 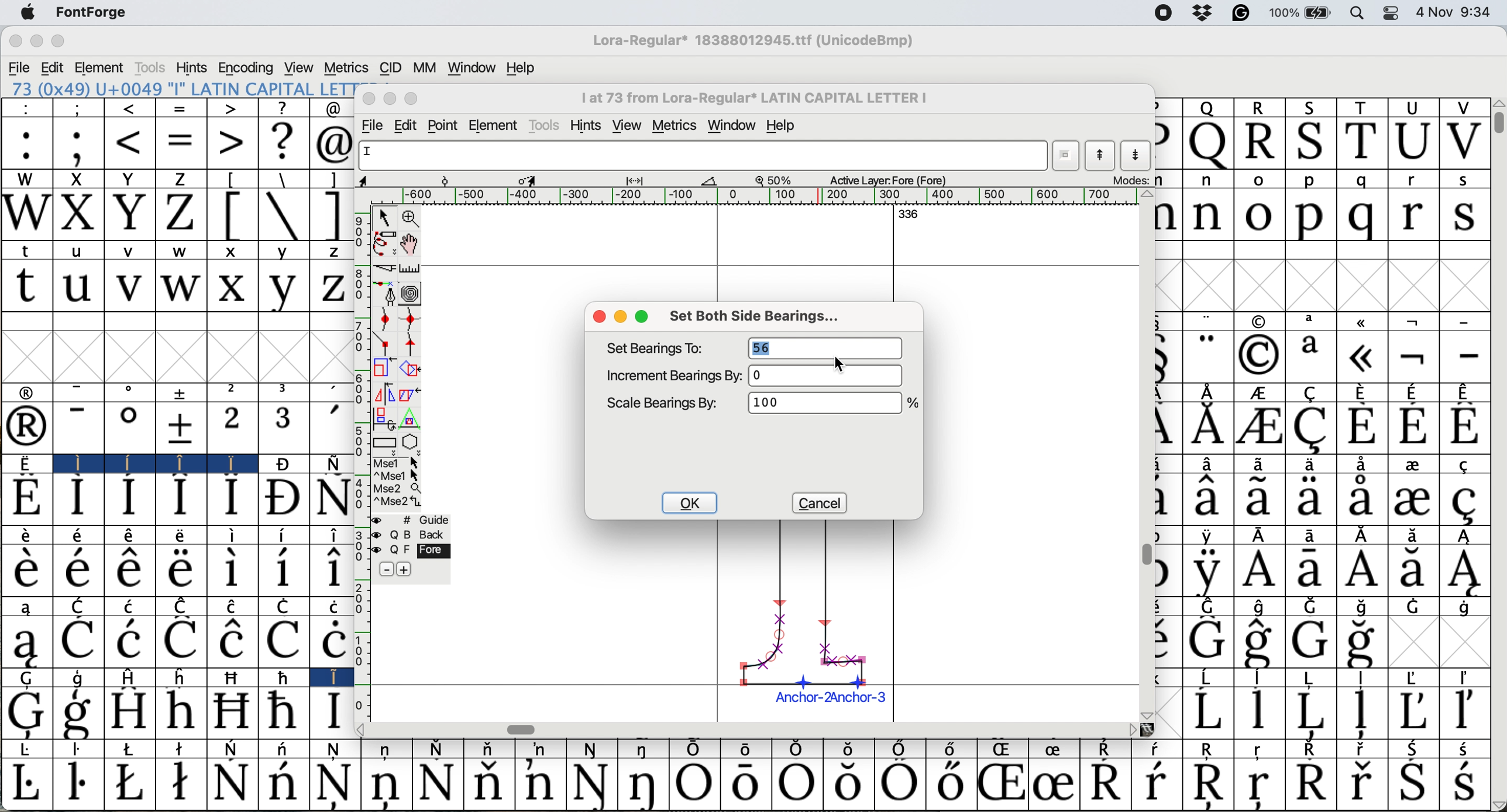 What do you see at coordinates (282, 179) in the screenshot?
I see `\` at bounding box center [282, 179].